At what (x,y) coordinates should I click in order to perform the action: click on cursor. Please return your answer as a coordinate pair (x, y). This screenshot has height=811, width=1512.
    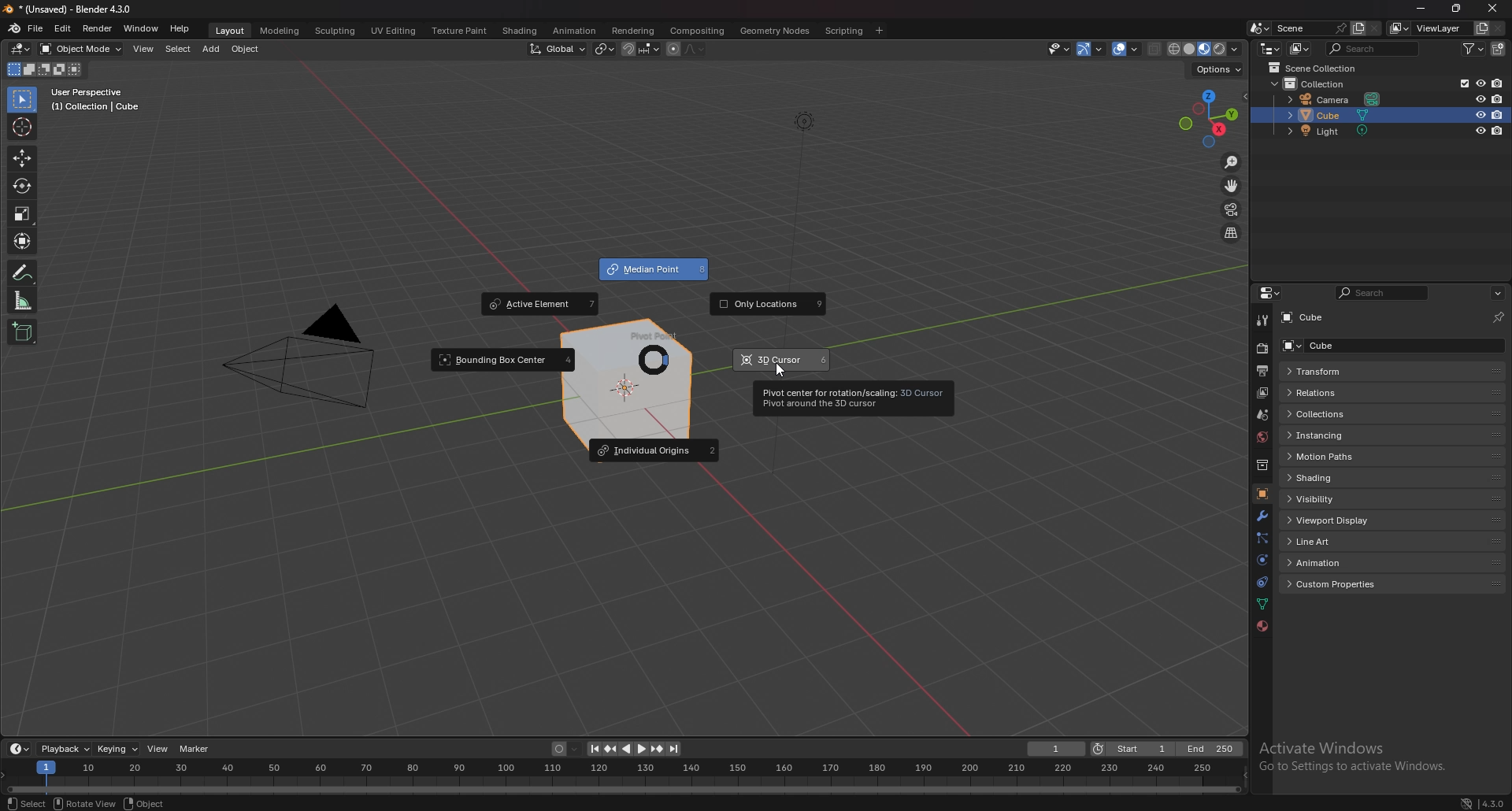
    Looking at the image, I should click on (21, 127).